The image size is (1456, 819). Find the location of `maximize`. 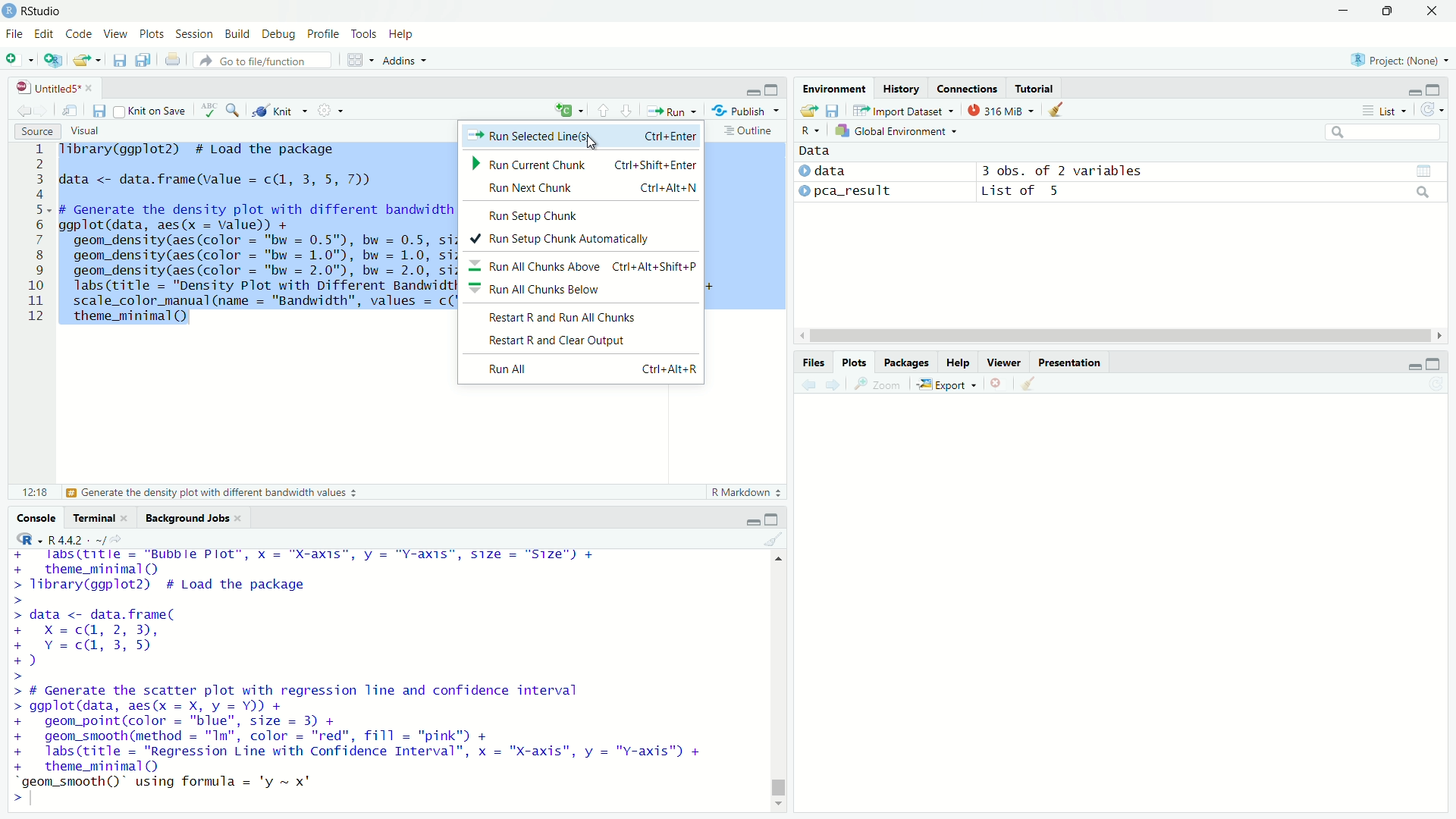

maximize is located at coordinates (1434, 363).